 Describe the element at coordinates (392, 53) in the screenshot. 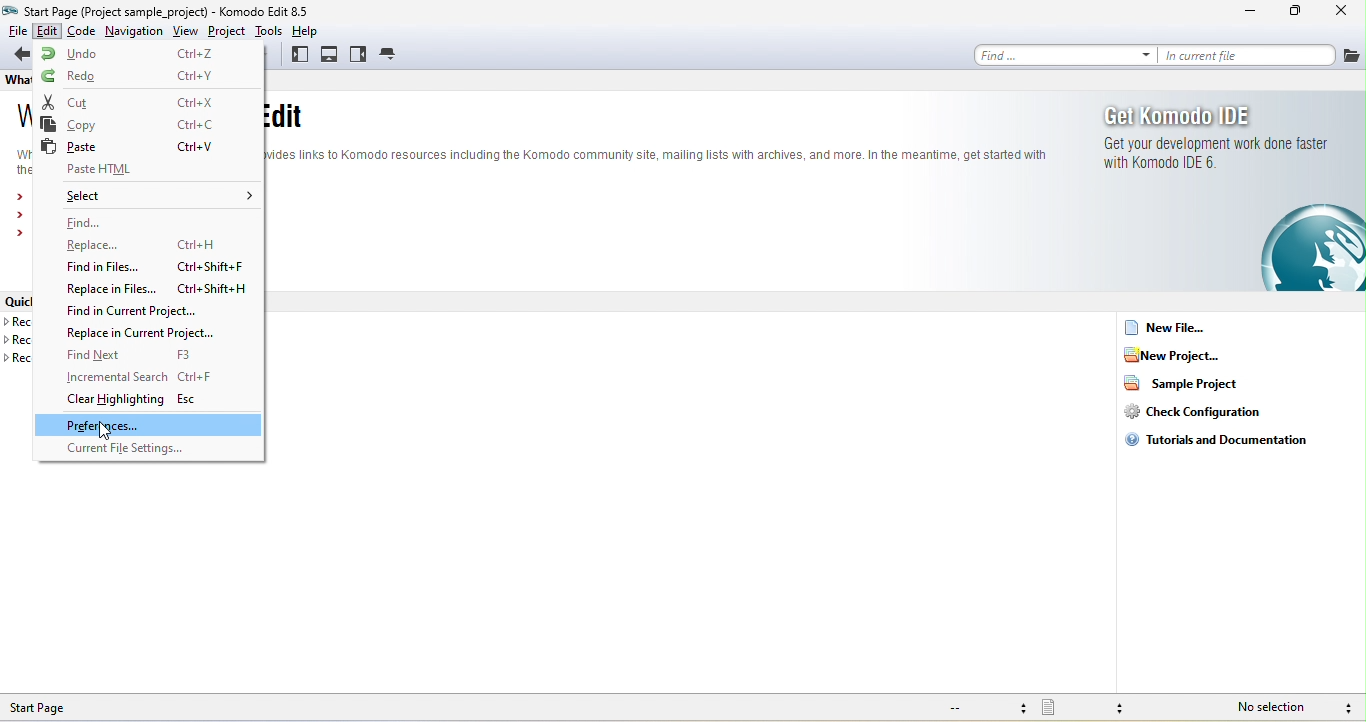

I see `tabs` at that location.